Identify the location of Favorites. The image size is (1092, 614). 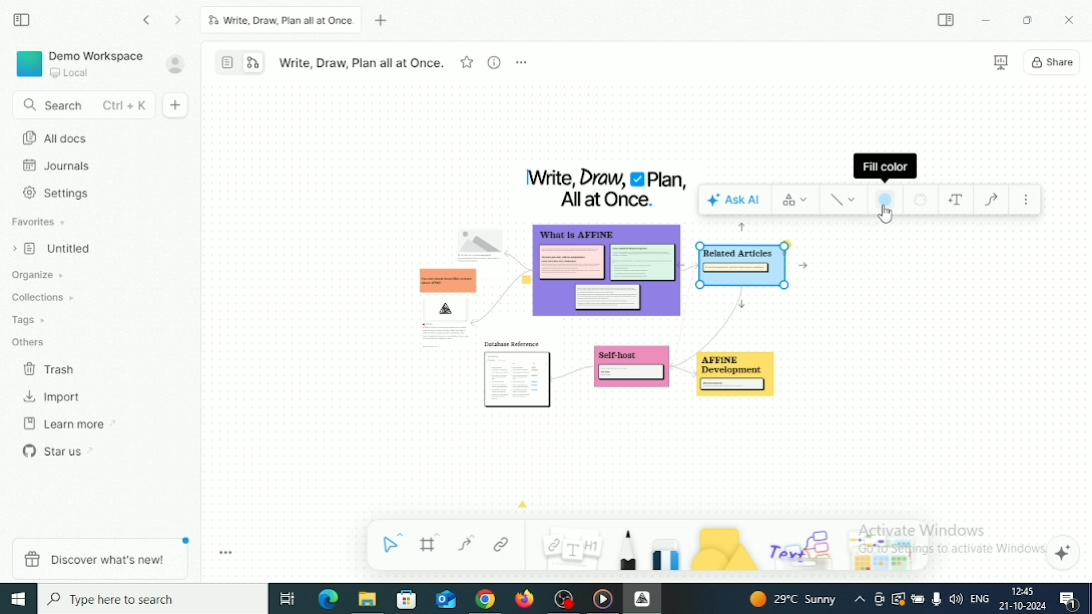
(40, 222).